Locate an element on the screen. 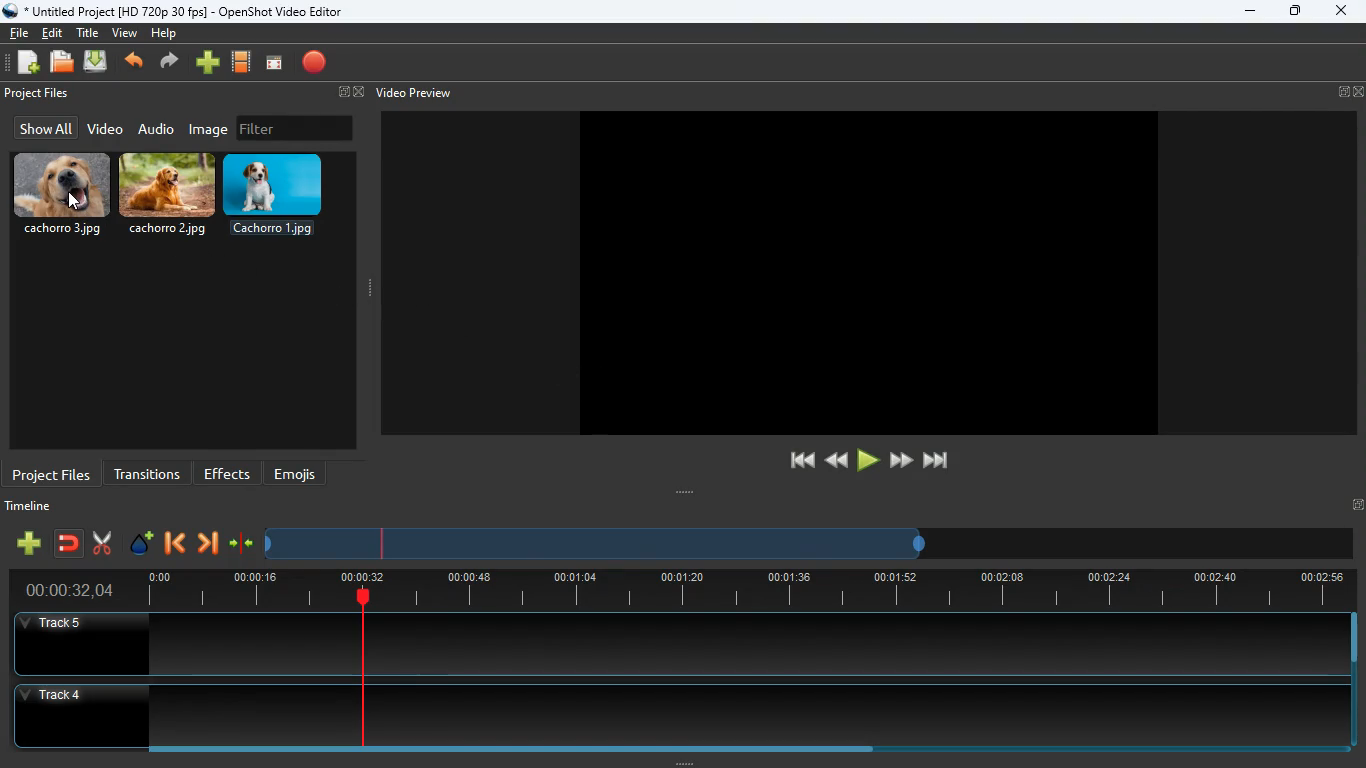 The height and width of the screenshot is (768, 1366). back is located at coordinates (834, 460).